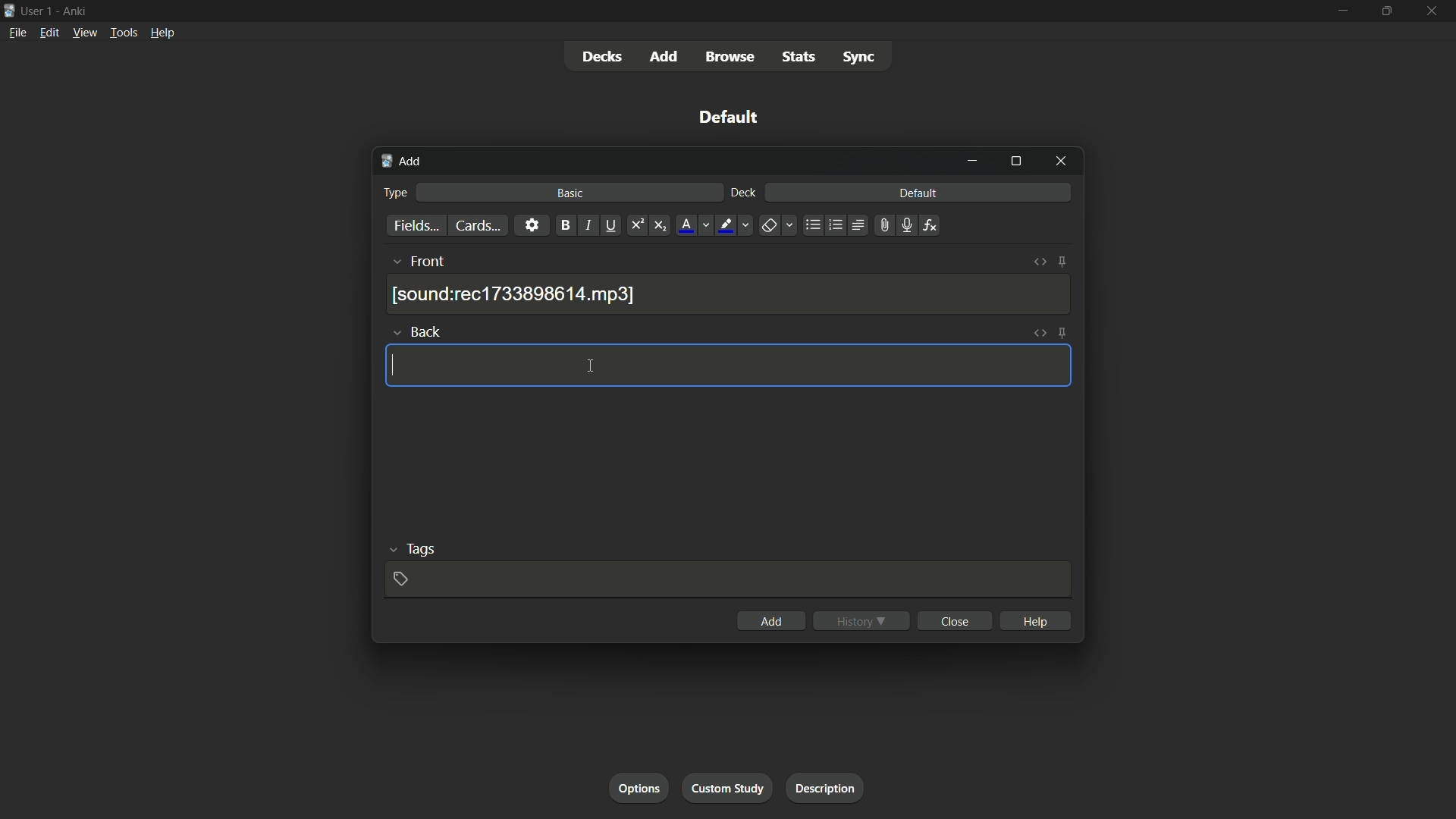 Image resolution: width=1456 pixels, height=819 pixels. I want to click on basic, so click(570, 193).